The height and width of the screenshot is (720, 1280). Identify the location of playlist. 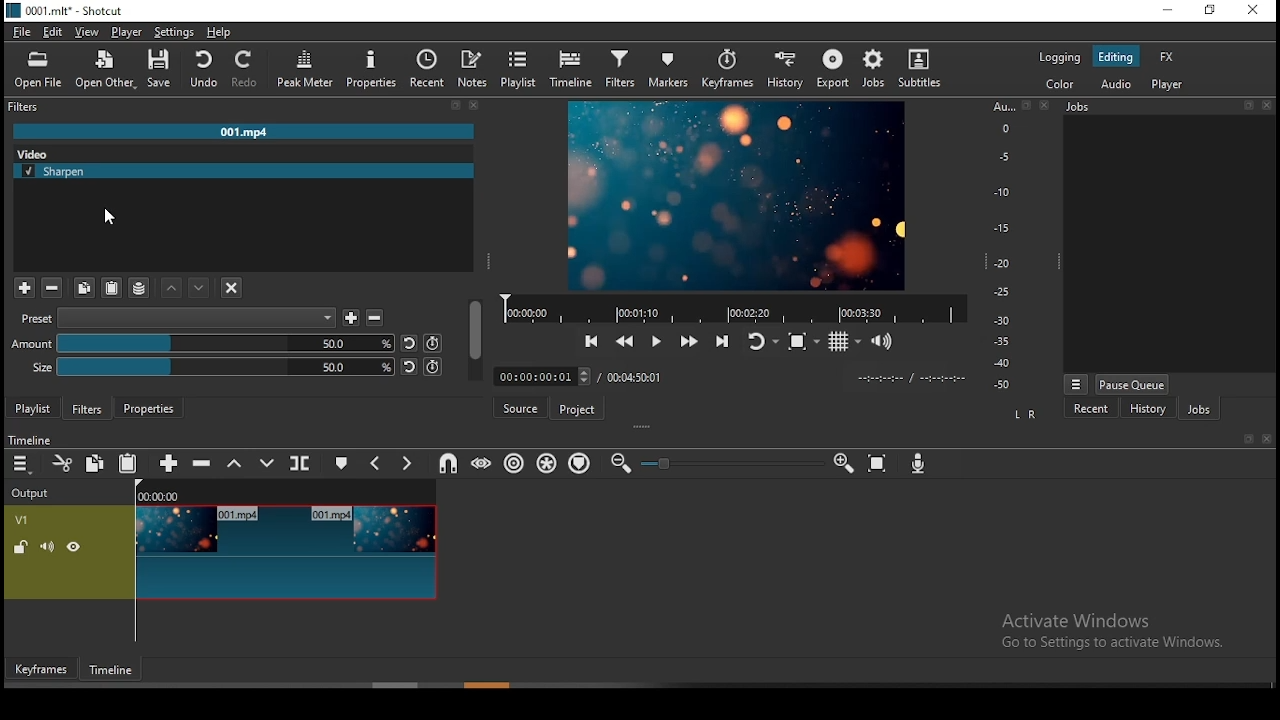
(522, 71).